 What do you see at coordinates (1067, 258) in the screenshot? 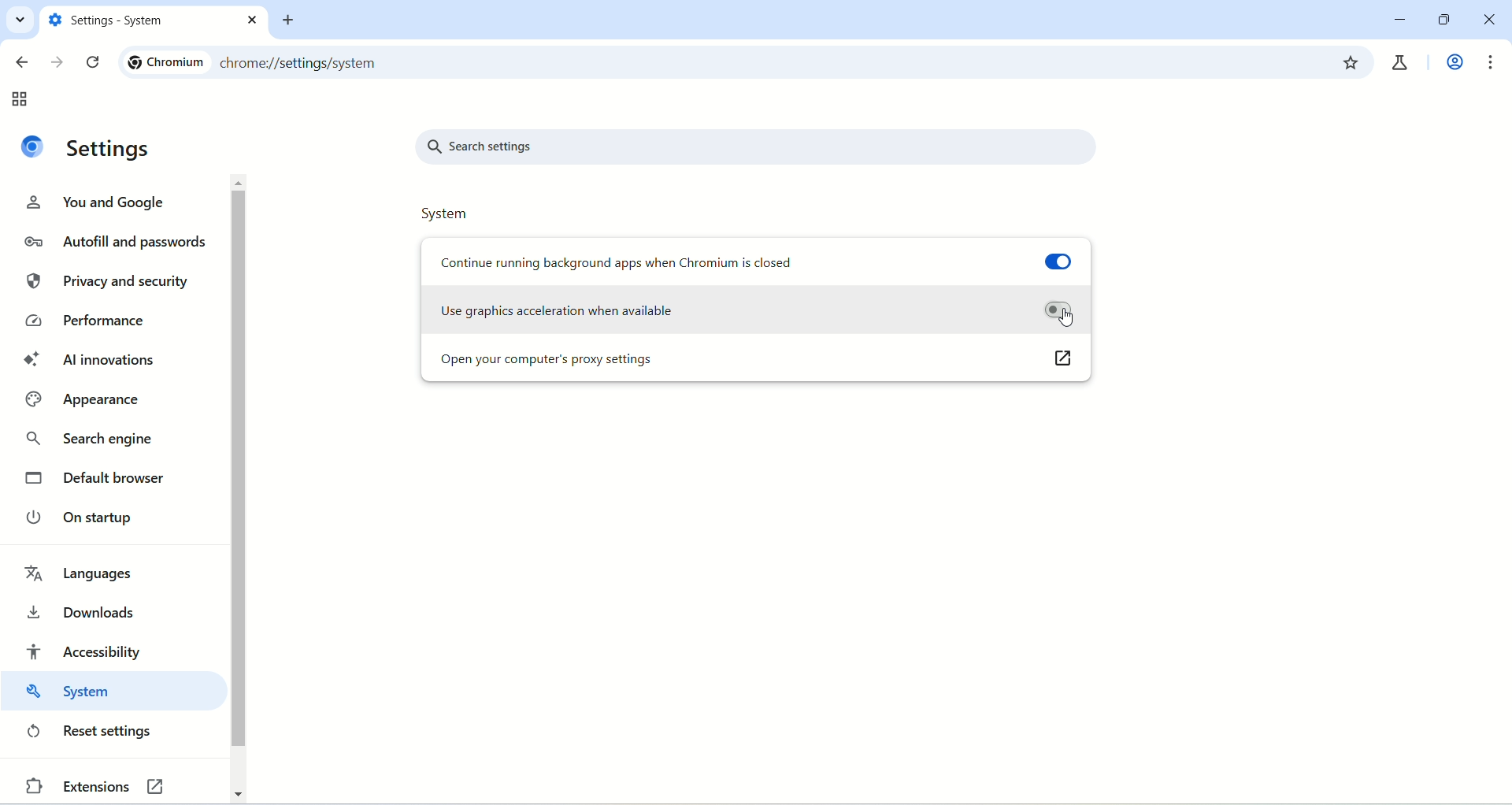
I see `toggle button` at bounding box center [1067, 258].